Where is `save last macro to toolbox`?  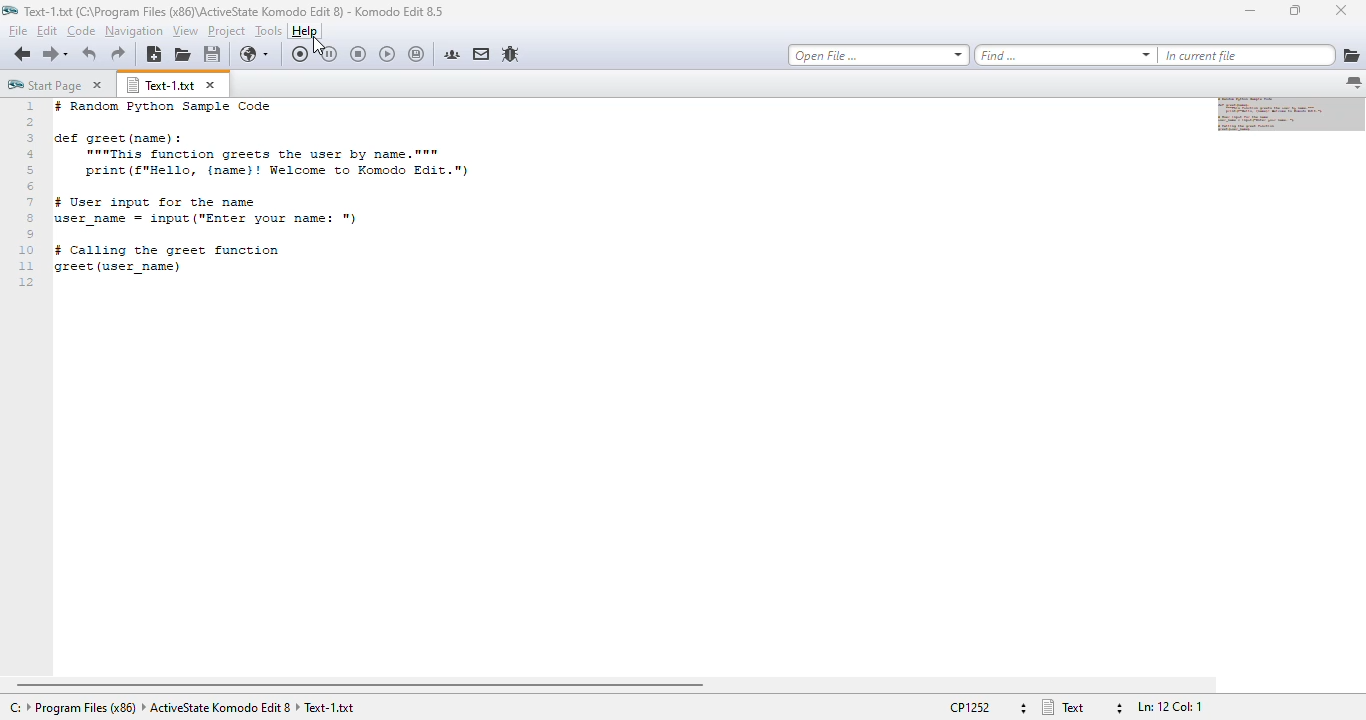
save last macro to toolbox is located at coordinates (416, 54).